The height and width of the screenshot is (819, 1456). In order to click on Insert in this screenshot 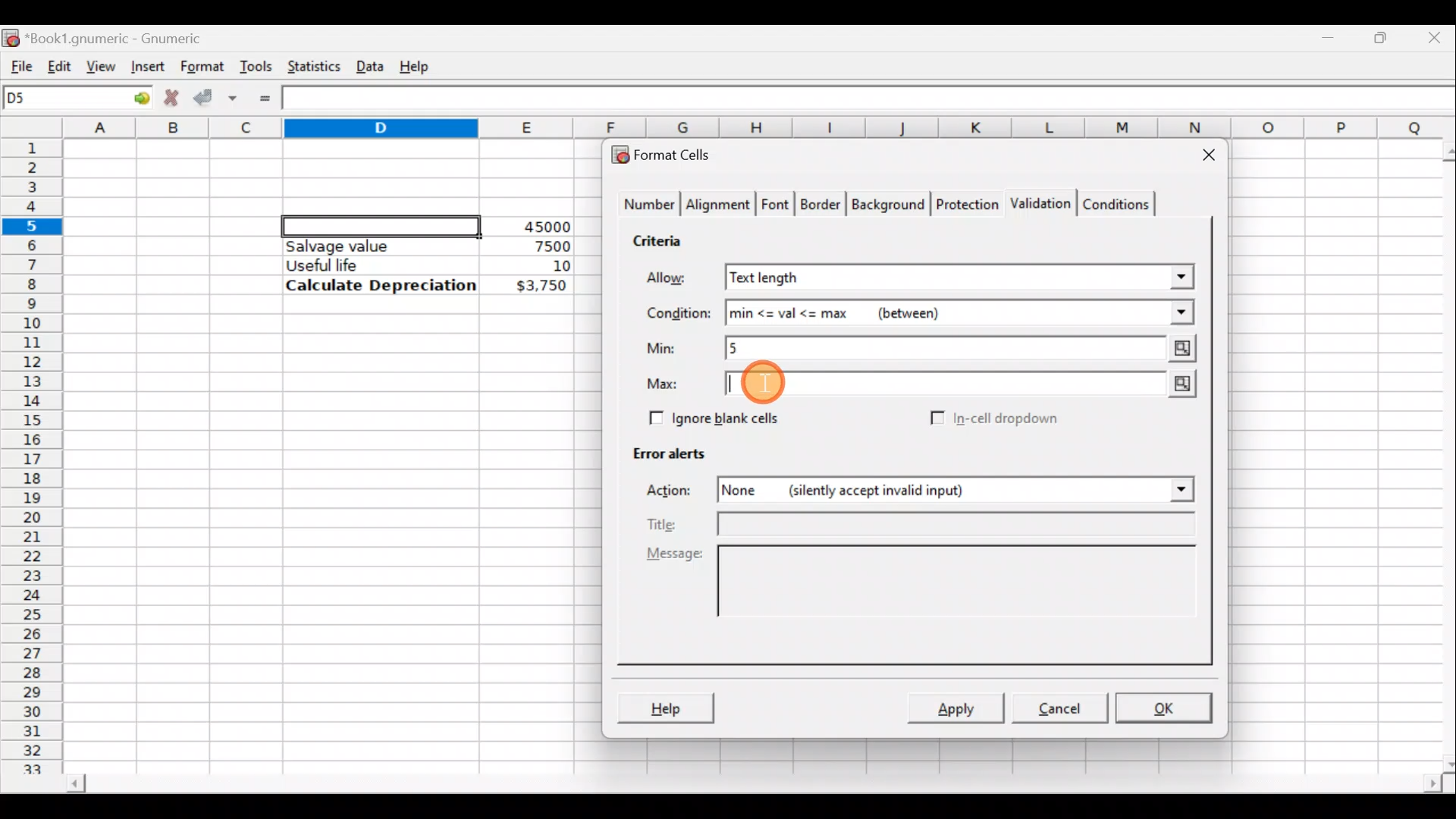, I will do `click(146, 66)`.